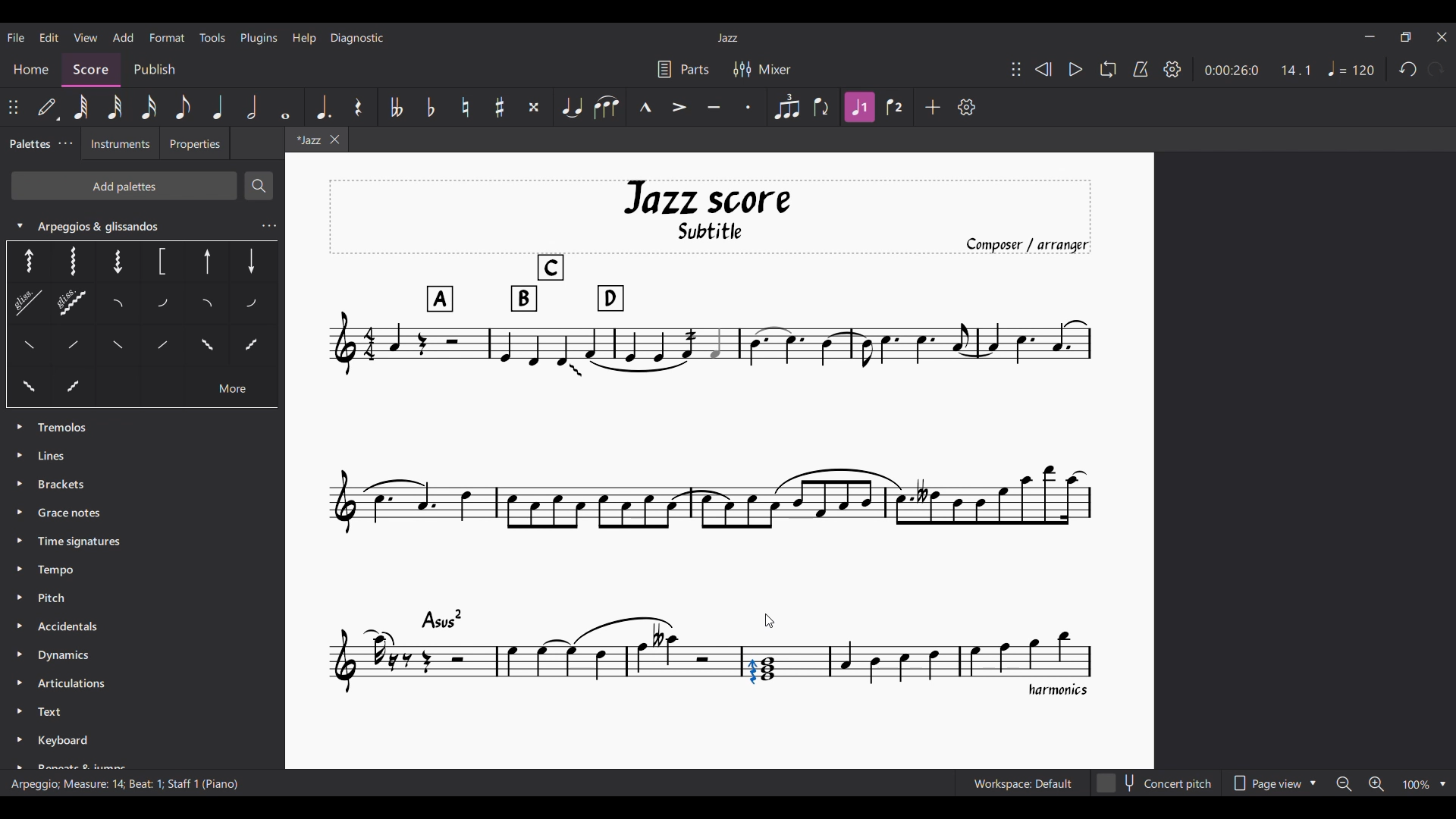 The image size is (1456, 819). I want to click on Quarter note, so click(218, 107).